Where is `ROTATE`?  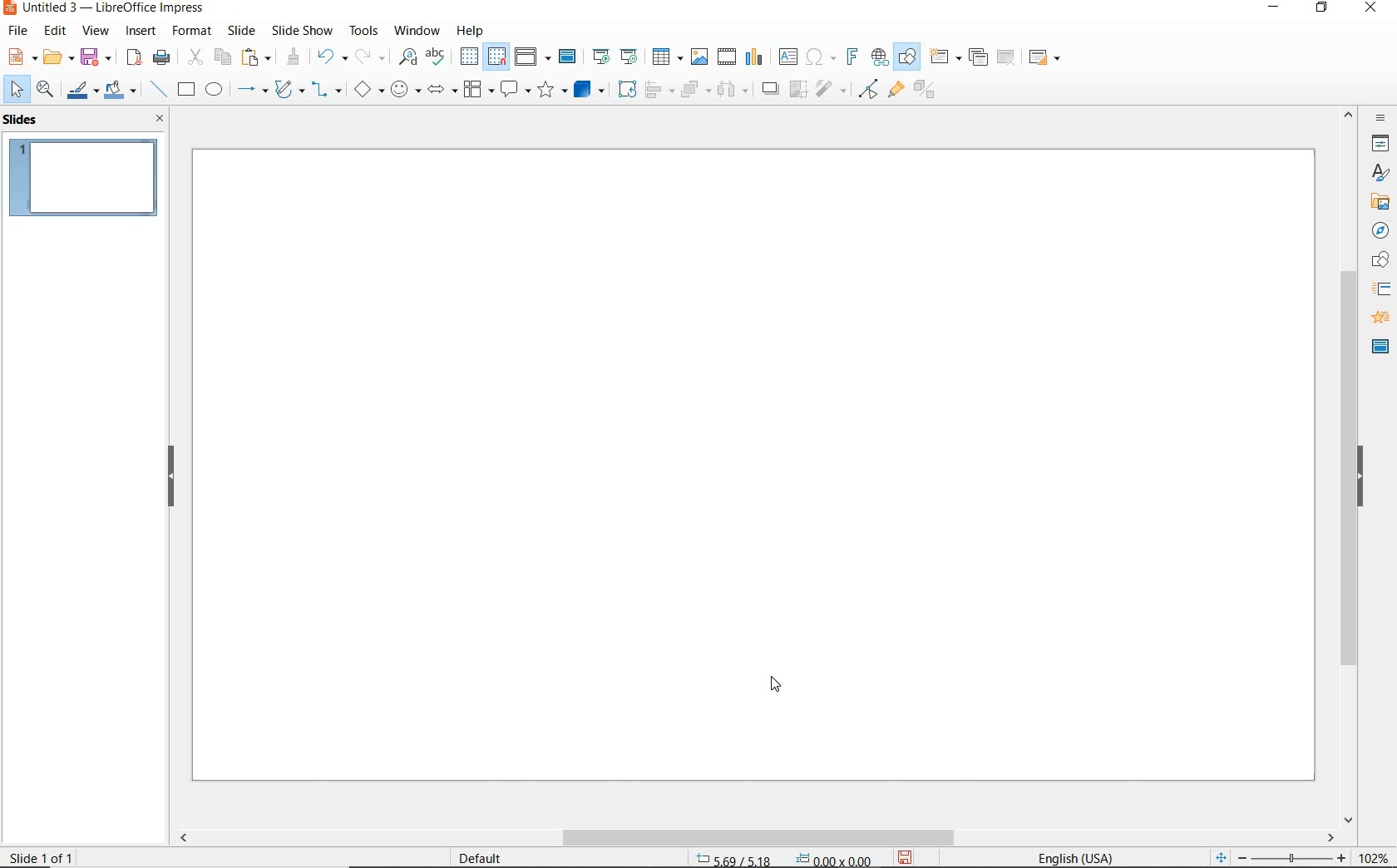
ROTATE is located at coordinates (629, 89).